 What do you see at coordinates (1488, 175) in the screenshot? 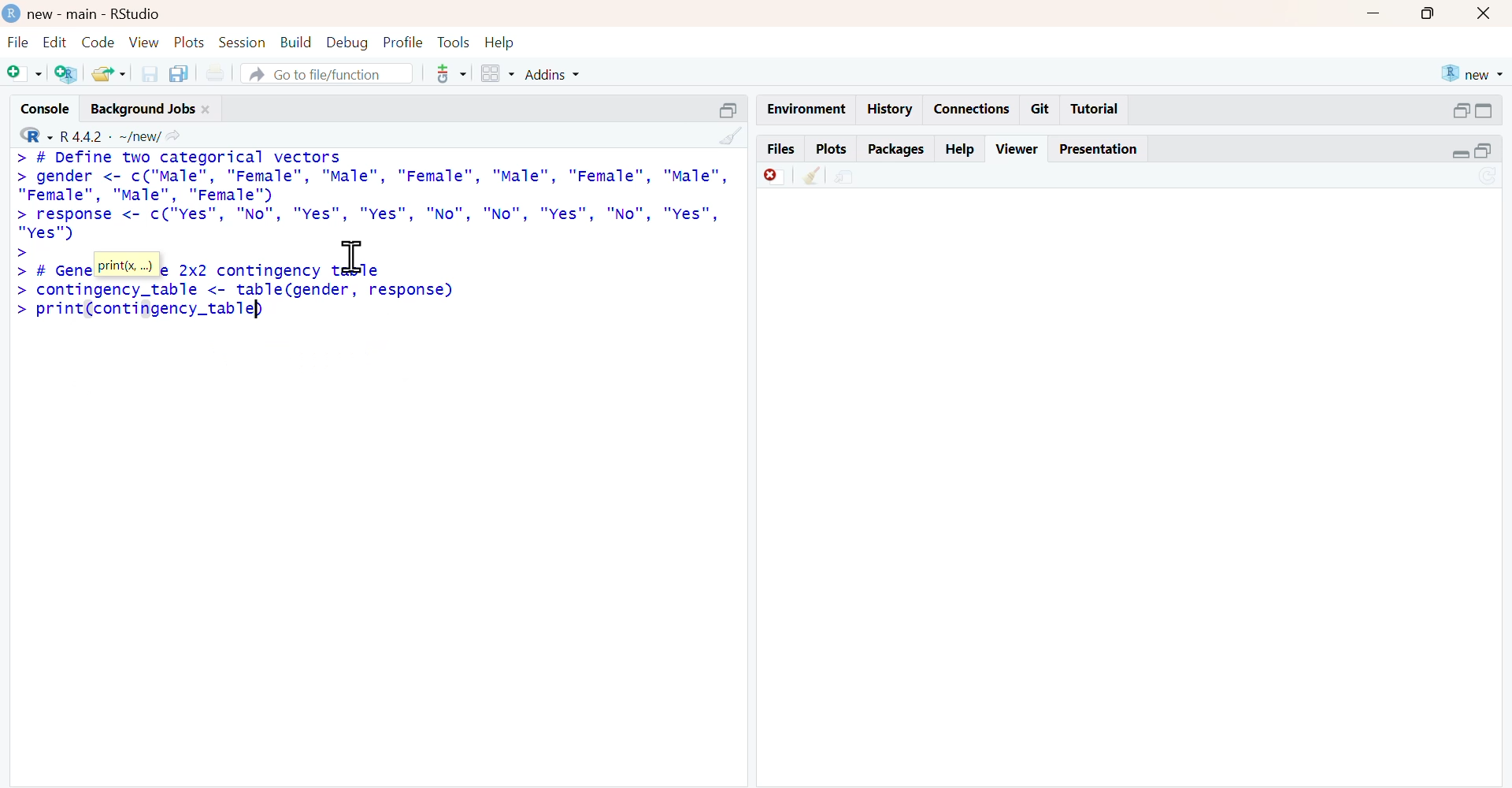
I see `Sync` at bounding box center [1488, 175].